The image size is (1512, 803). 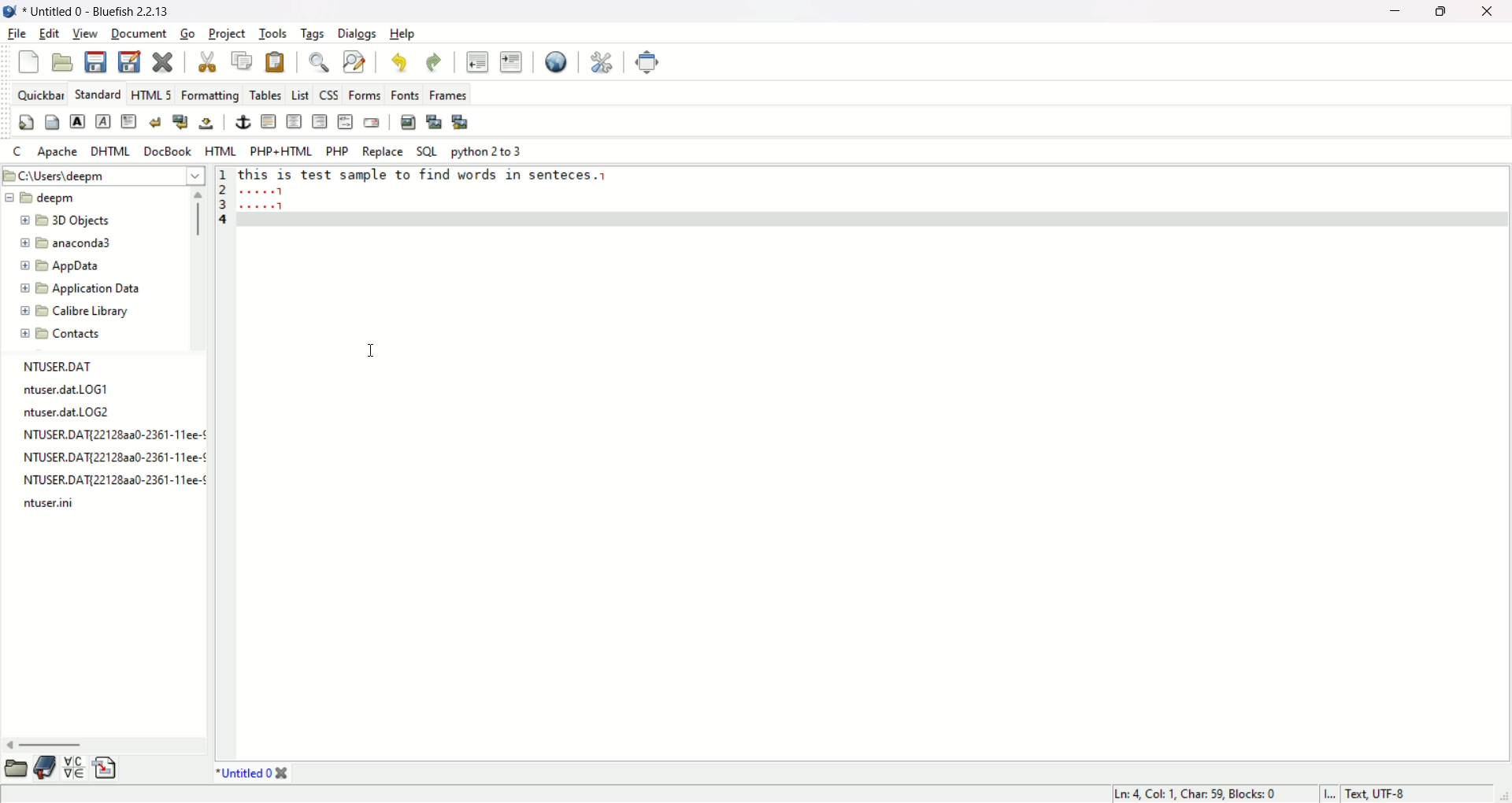 What do you see at coordinates (86, 35) in the screenshot?
I see `view` at bounding box center [86, 35].